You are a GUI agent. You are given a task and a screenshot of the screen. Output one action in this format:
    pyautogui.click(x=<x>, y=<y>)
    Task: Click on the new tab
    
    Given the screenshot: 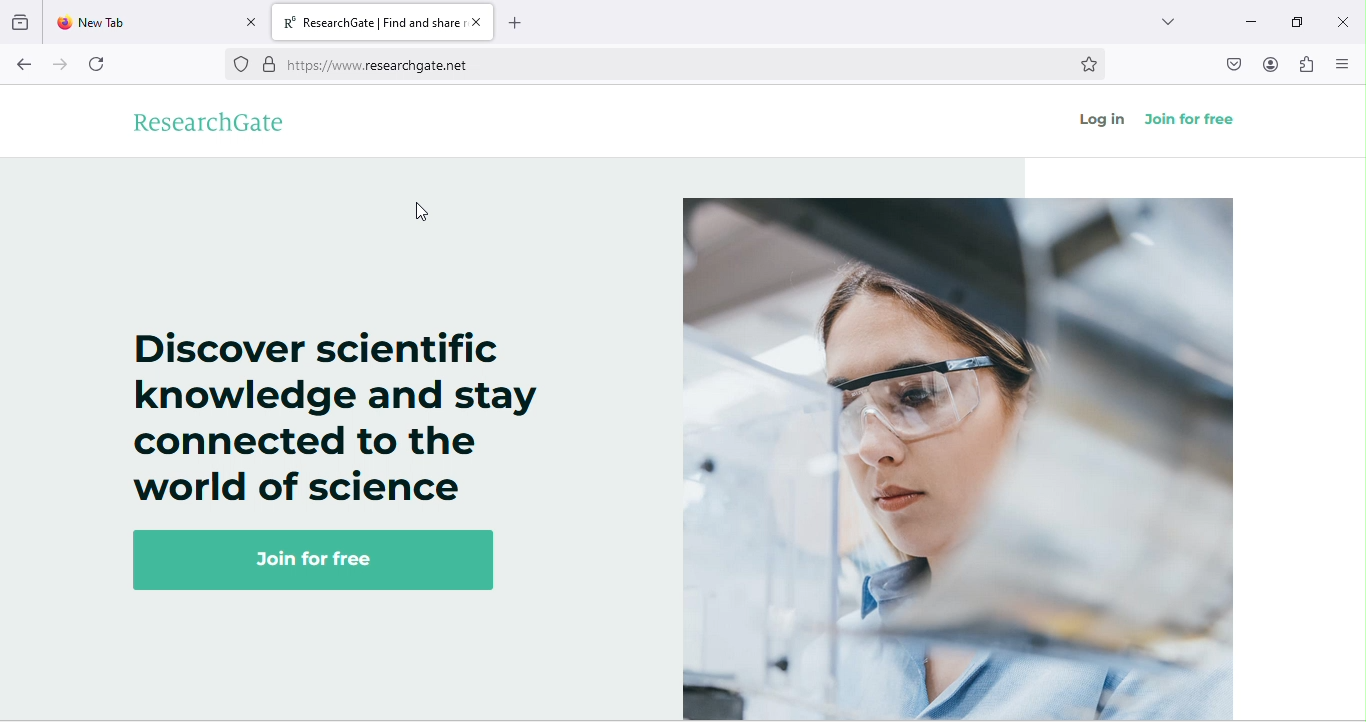 What is the action you would take?
    pyautogui.click(x=139, y=23)
    